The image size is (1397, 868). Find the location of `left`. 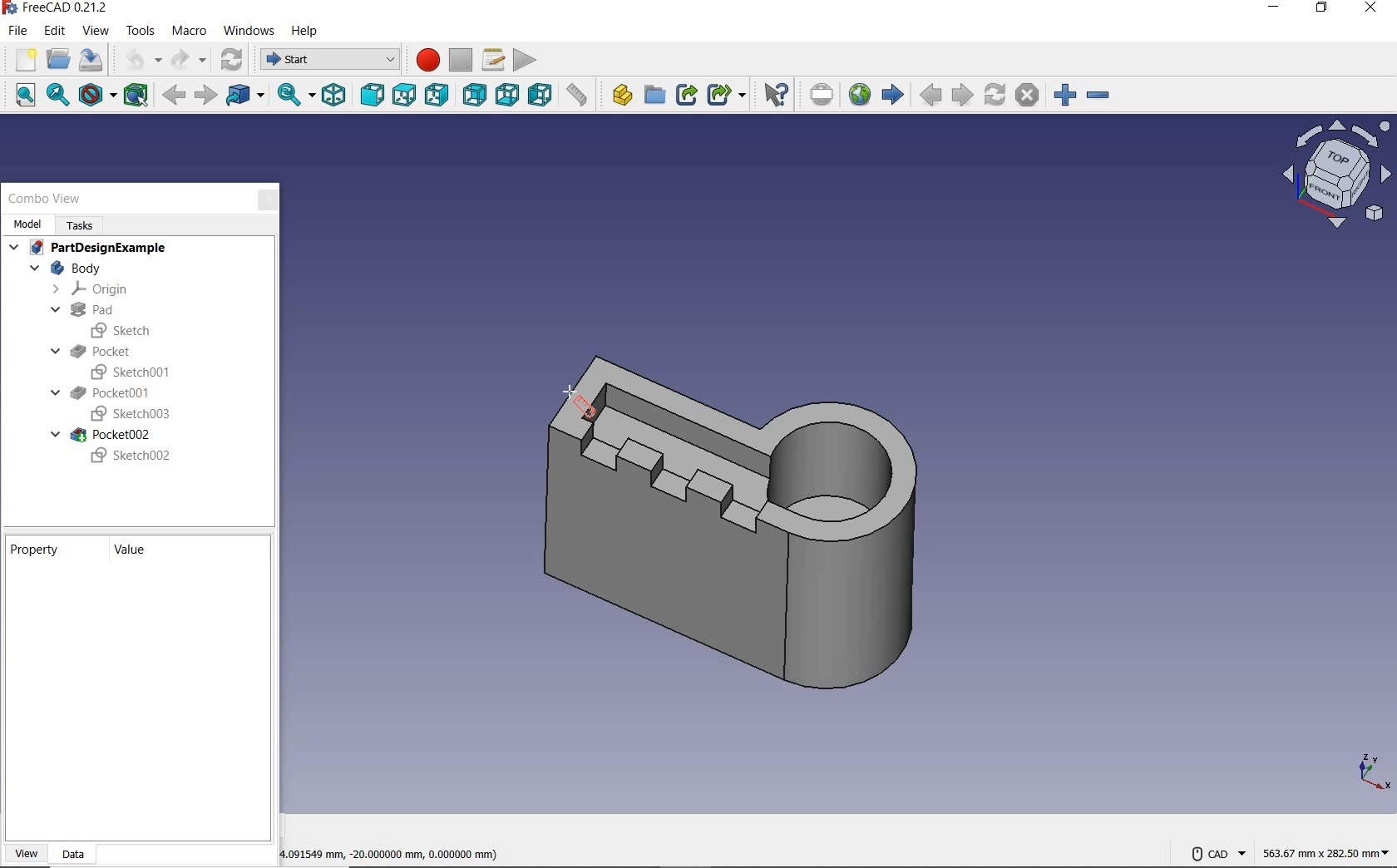

left is located at coordinates (539, 96).